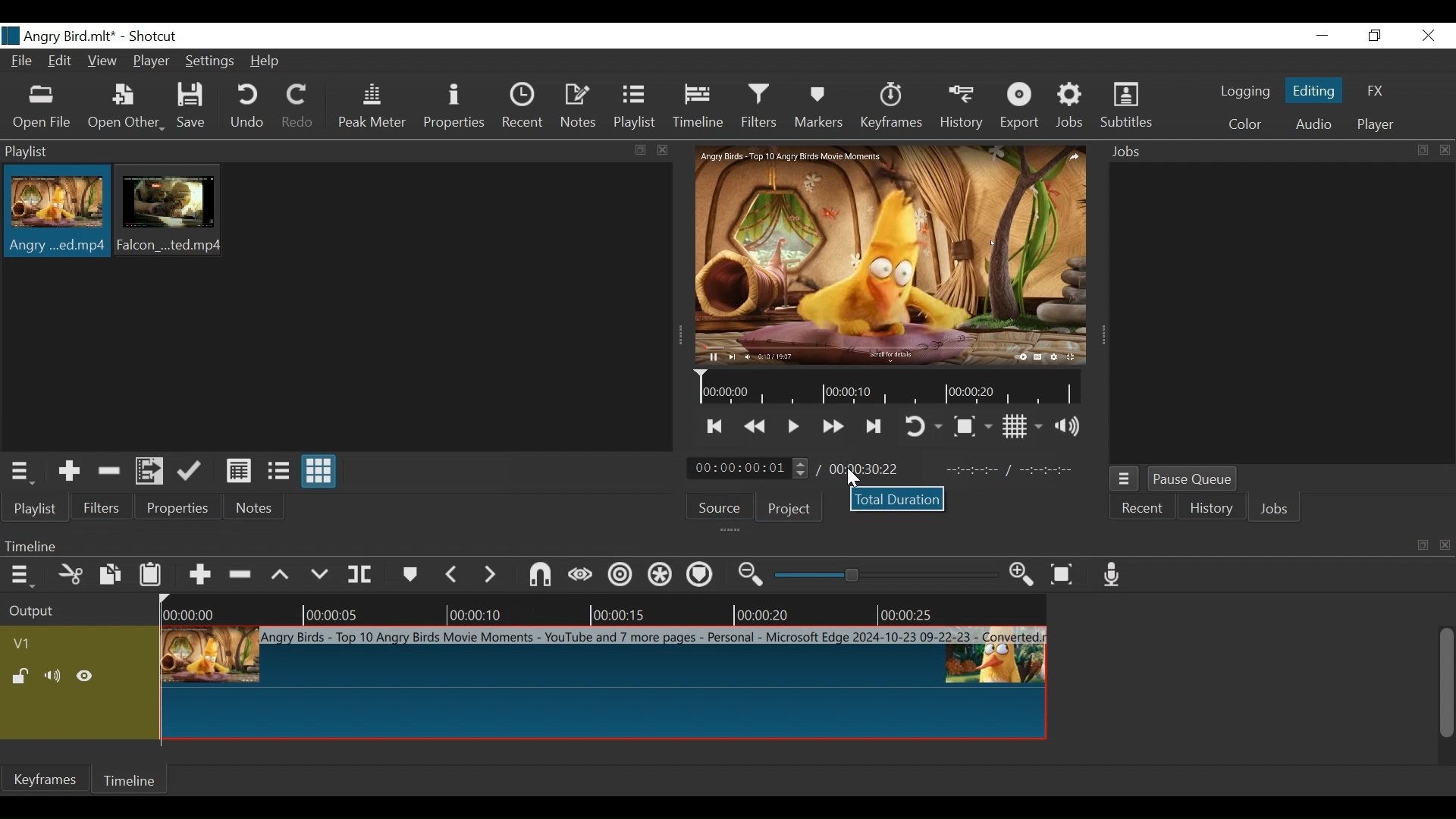 Image resolution: width=1456 pixels, height=819 pixels. Describe the element at coordinates (319, 574) in the screenshot. I see `Overwrite` at that location.